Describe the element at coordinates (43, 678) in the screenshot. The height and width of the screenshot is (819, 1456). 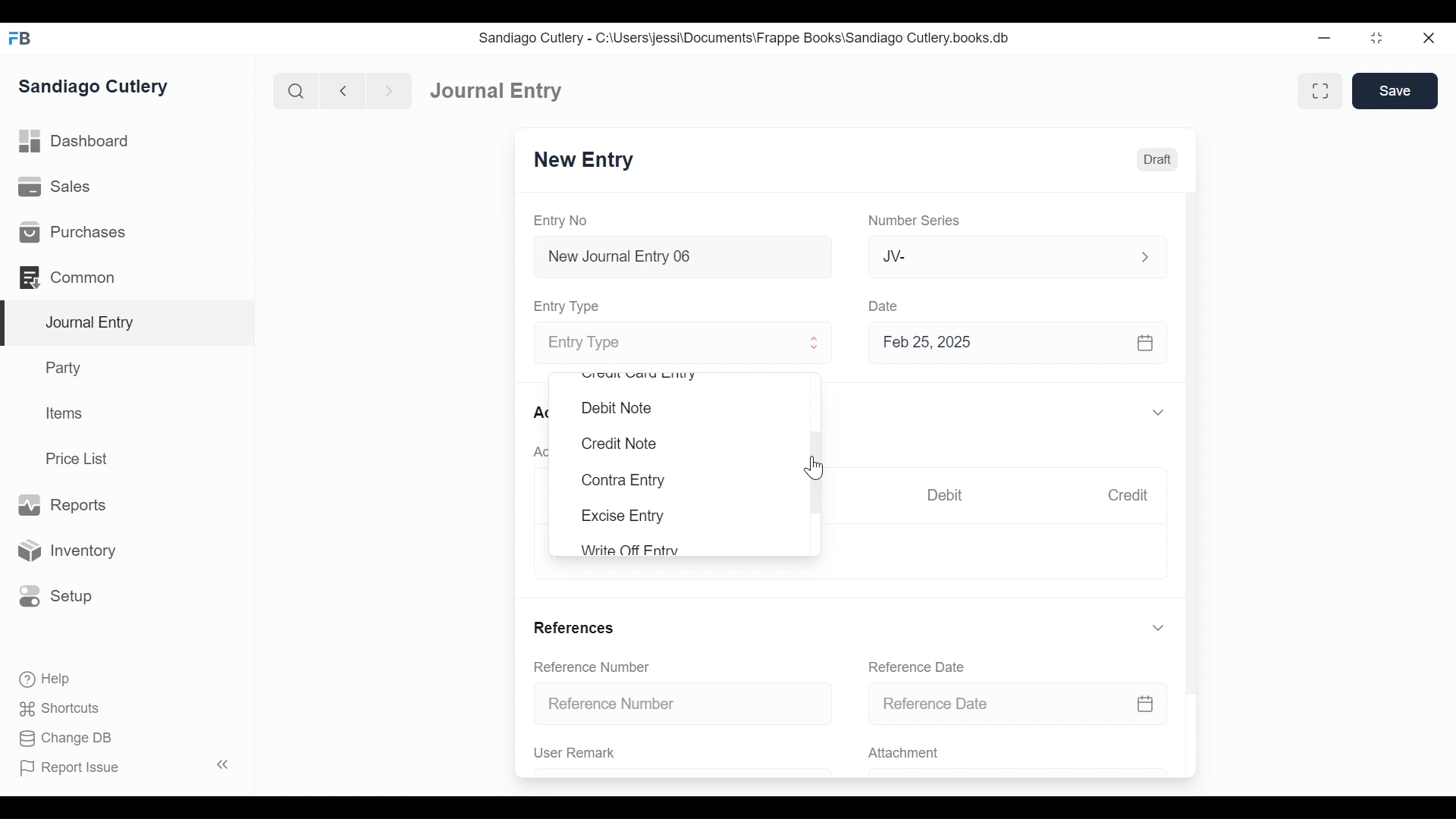
I see `Help` at that location.